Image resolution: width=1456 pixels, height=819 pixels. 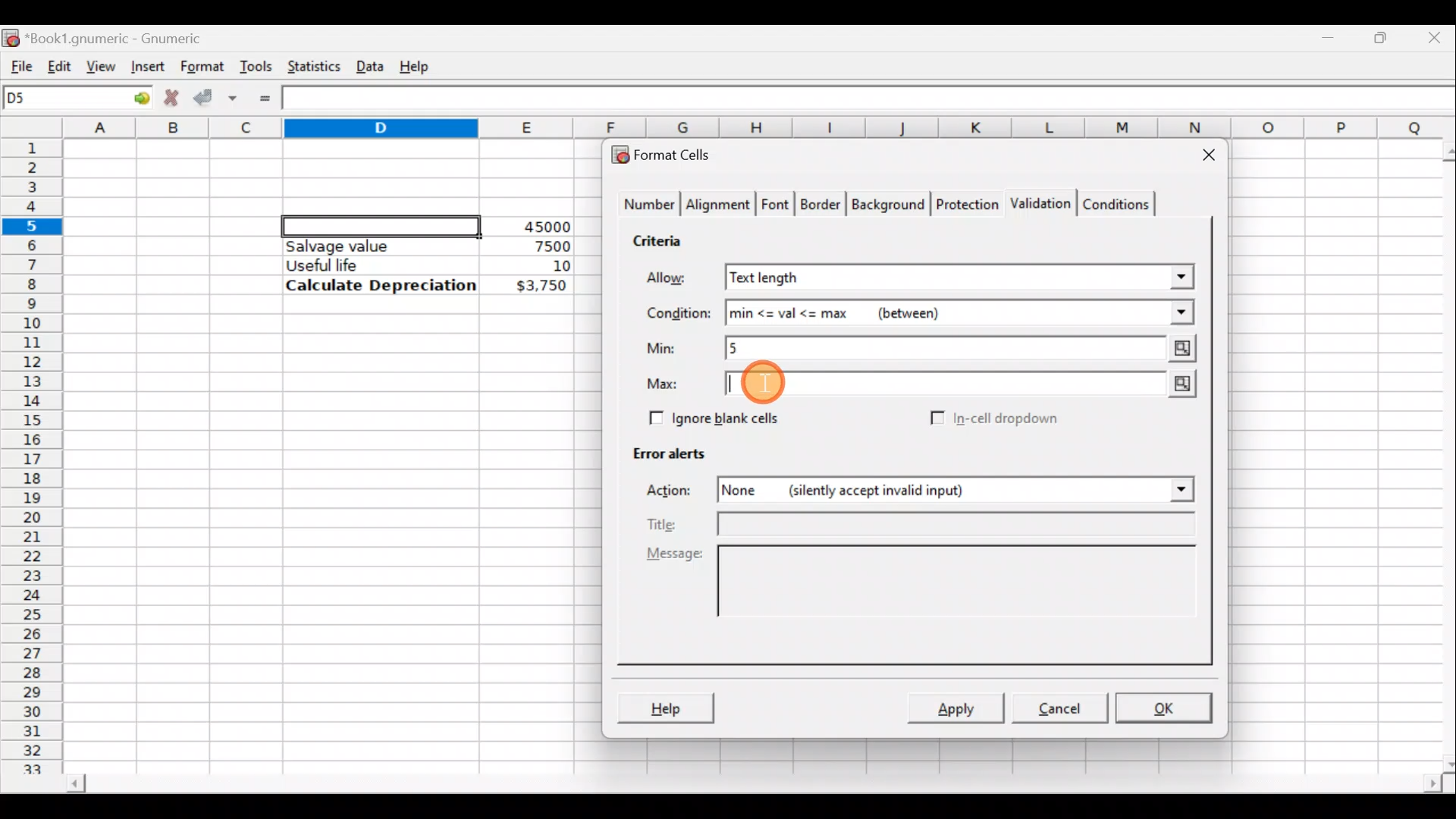 I want to click on Gnumeric logo, so click(x=11, y=36).